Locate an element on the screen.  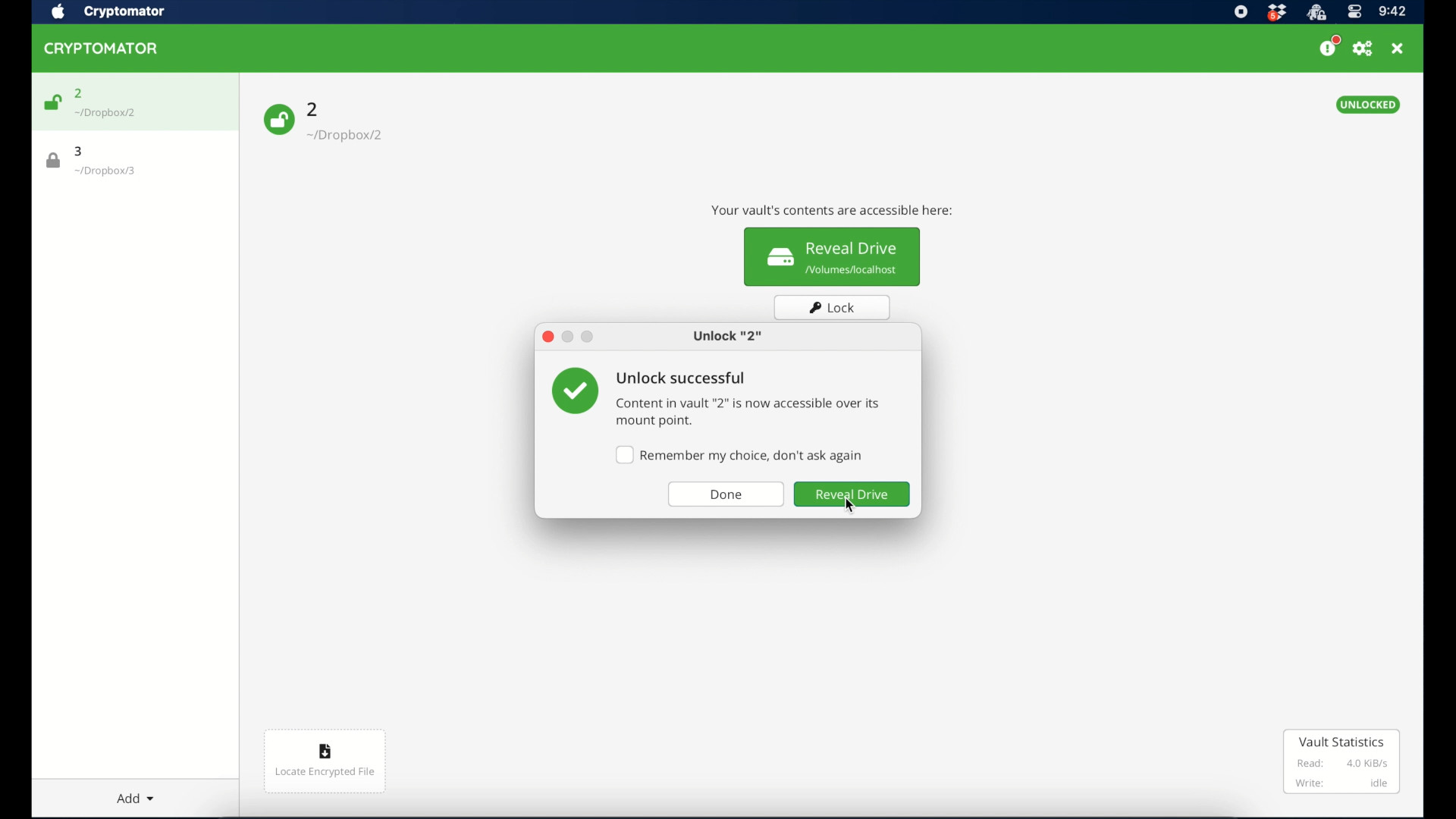
cursor is located at coordinates (849, 504).